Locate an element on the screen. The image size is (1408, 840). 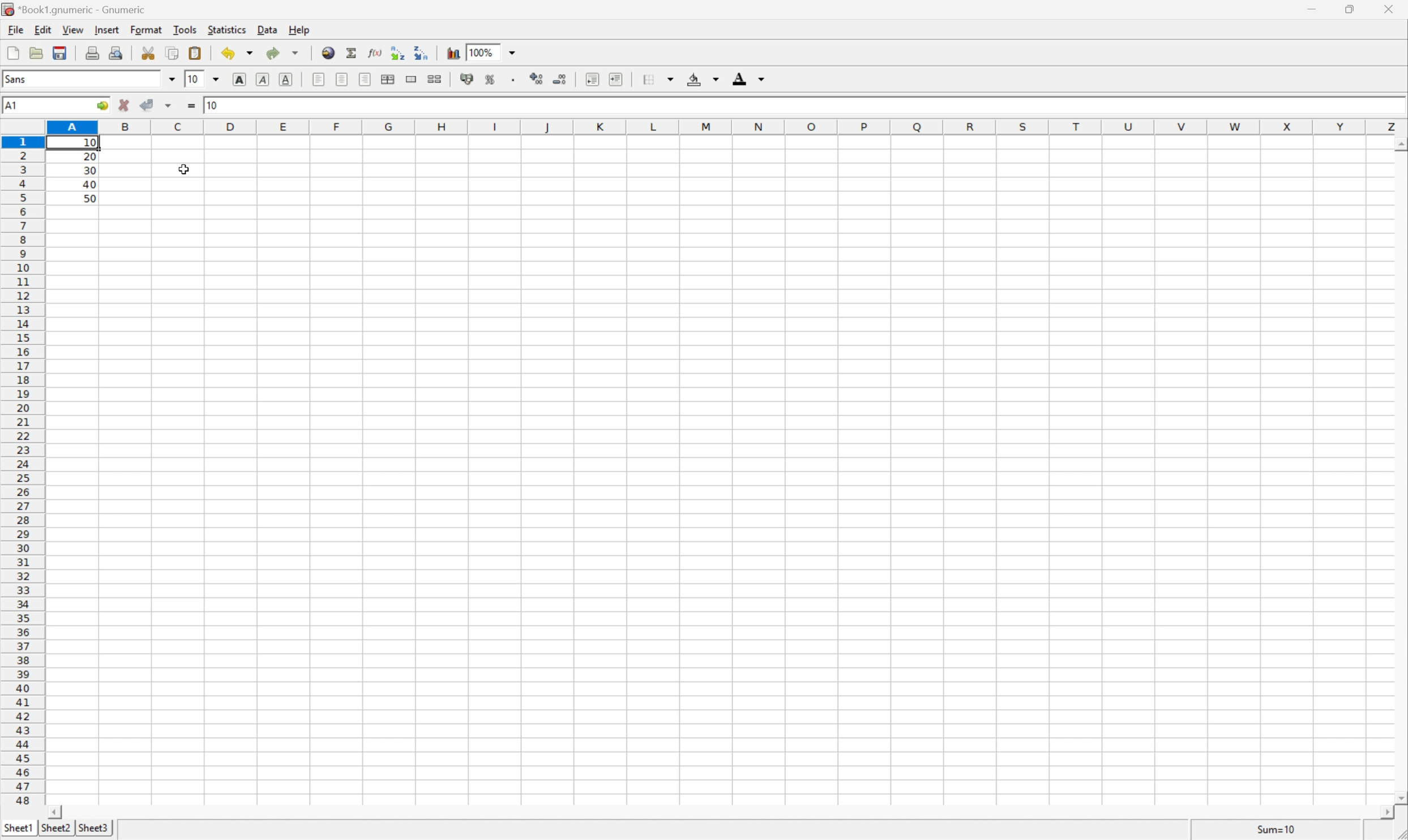
redo is located at coordinates (273, 54).